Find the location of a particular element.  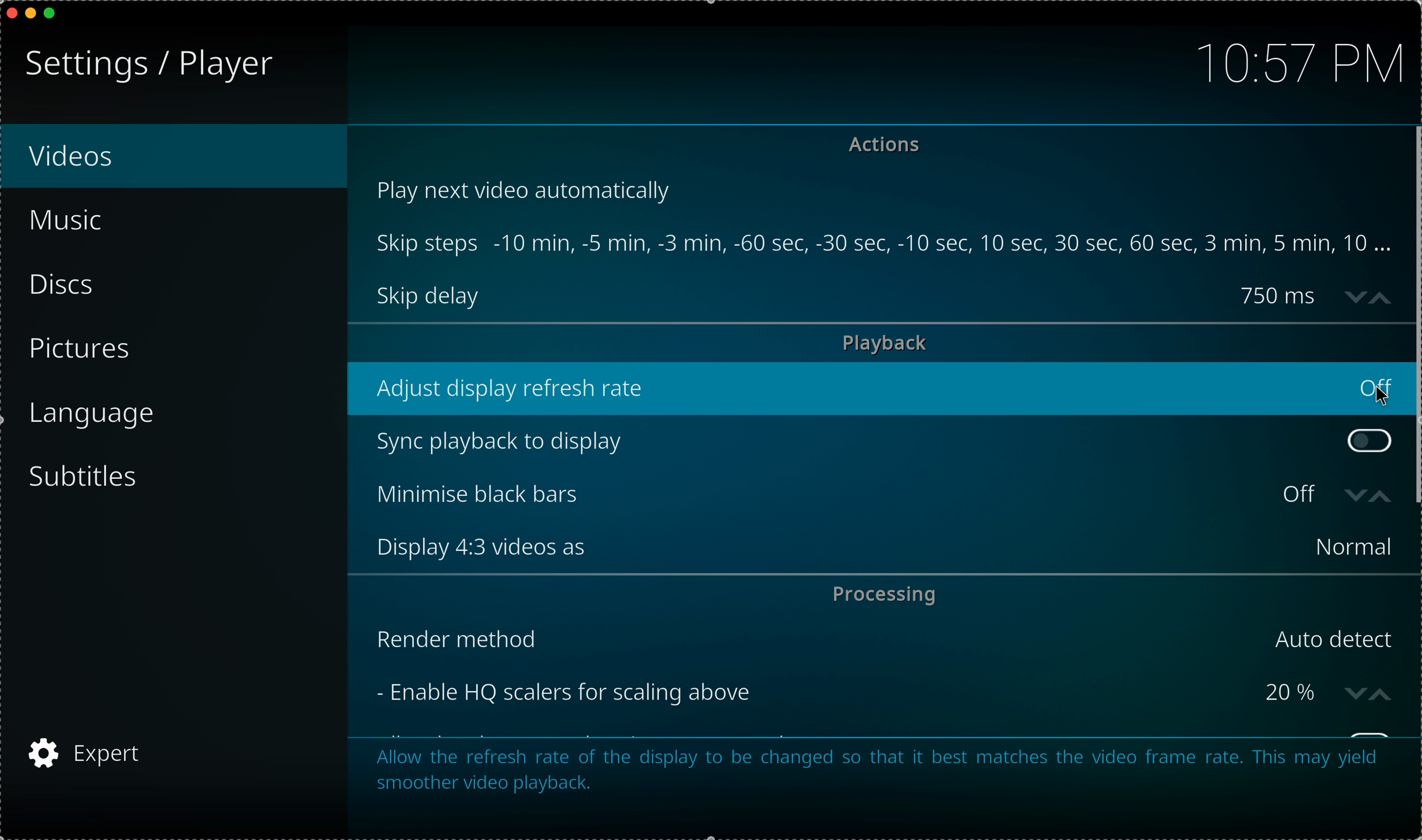

subtitles is located at coordinates (89, 477).